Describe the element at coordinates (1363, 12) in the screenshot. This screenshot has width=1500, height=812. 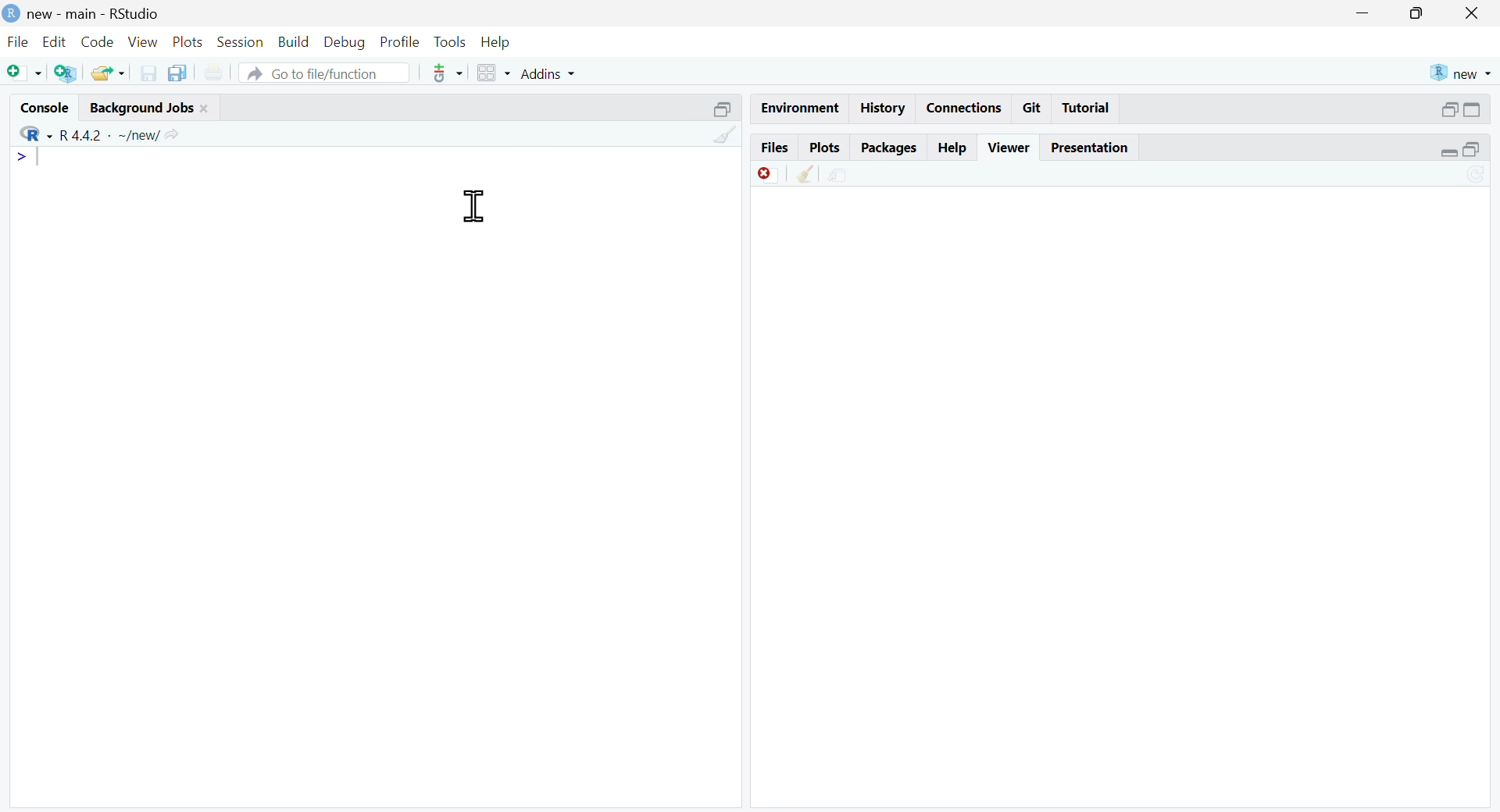
I see `minimise` at that location.